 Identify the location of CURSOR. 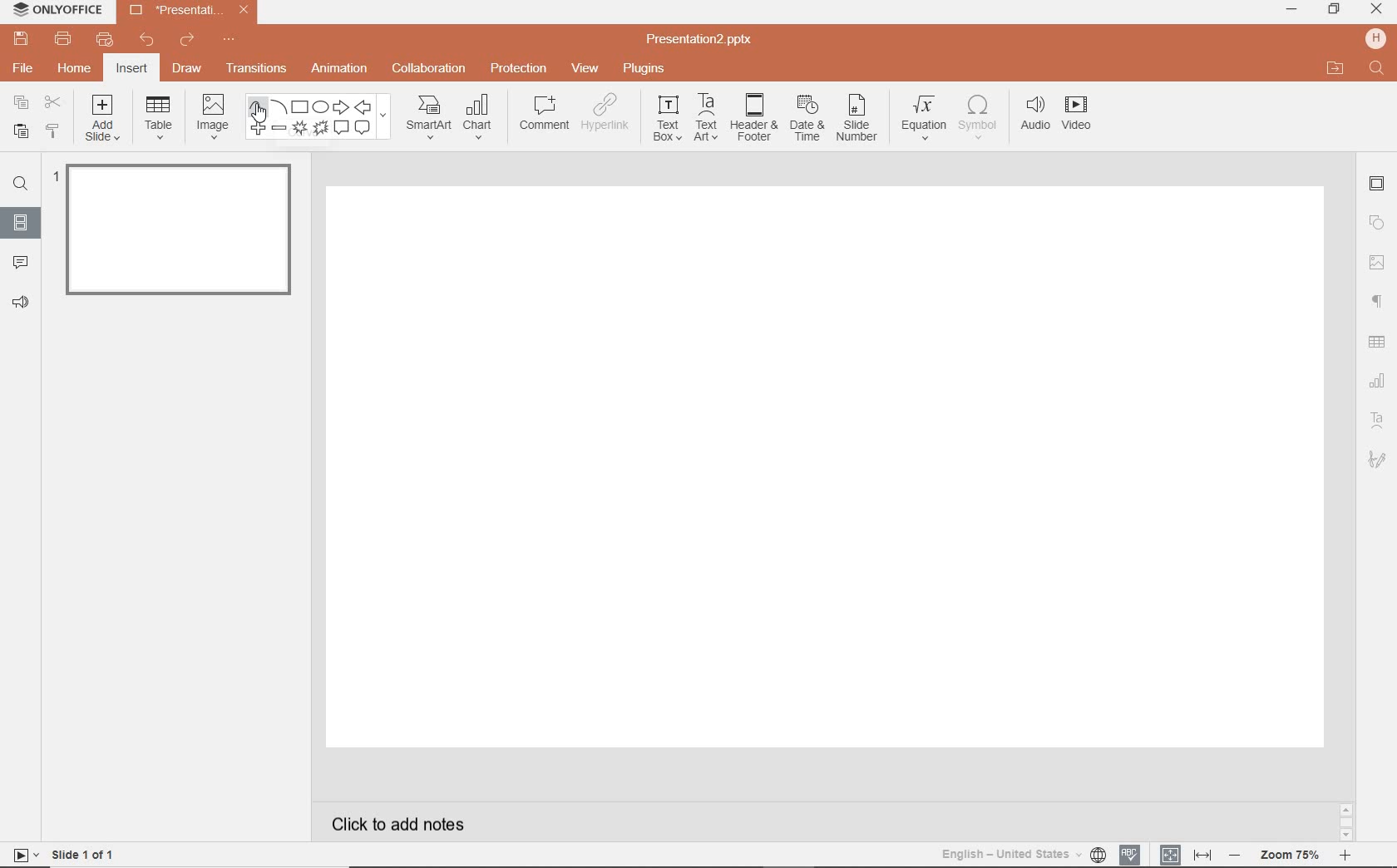
(261, 116).